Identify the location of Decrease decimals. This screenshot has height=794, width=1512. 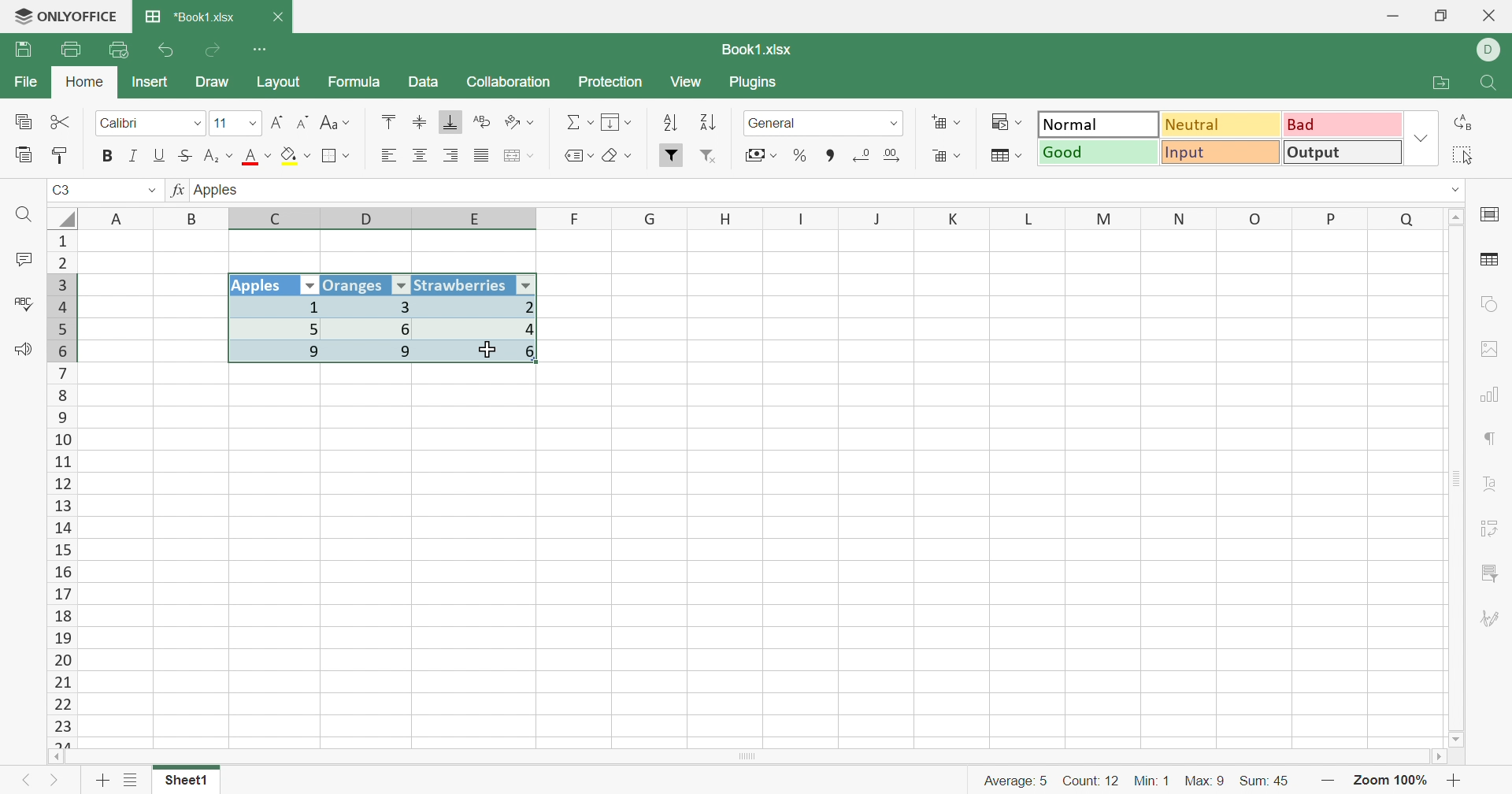
(862, 154).